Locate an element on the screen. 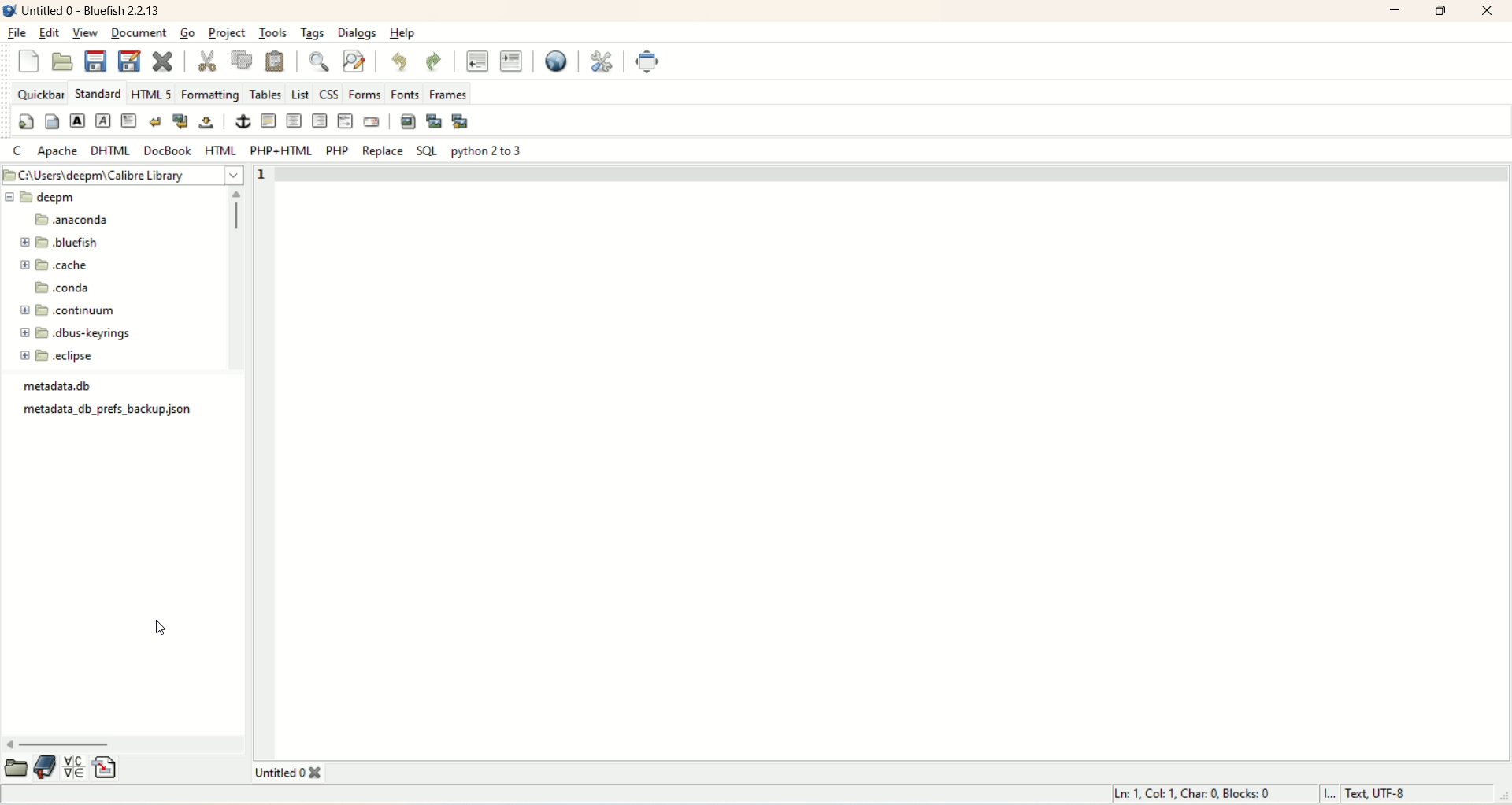 Image resolution: width=1512 pixels, height=805 pixels. minimize is located at coordinates (1396, 13).